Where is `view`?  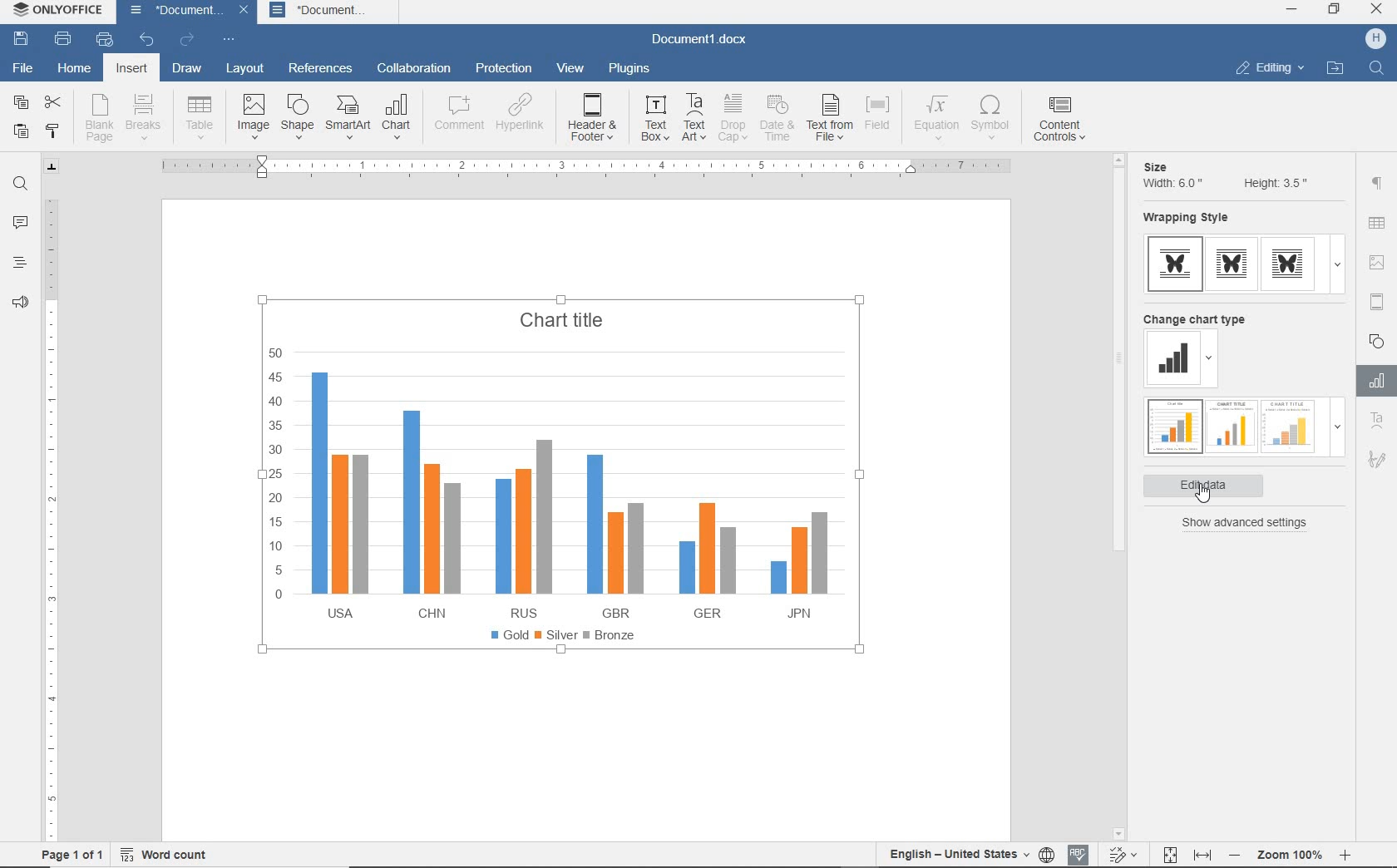
view is located at coordinates (572, 67).